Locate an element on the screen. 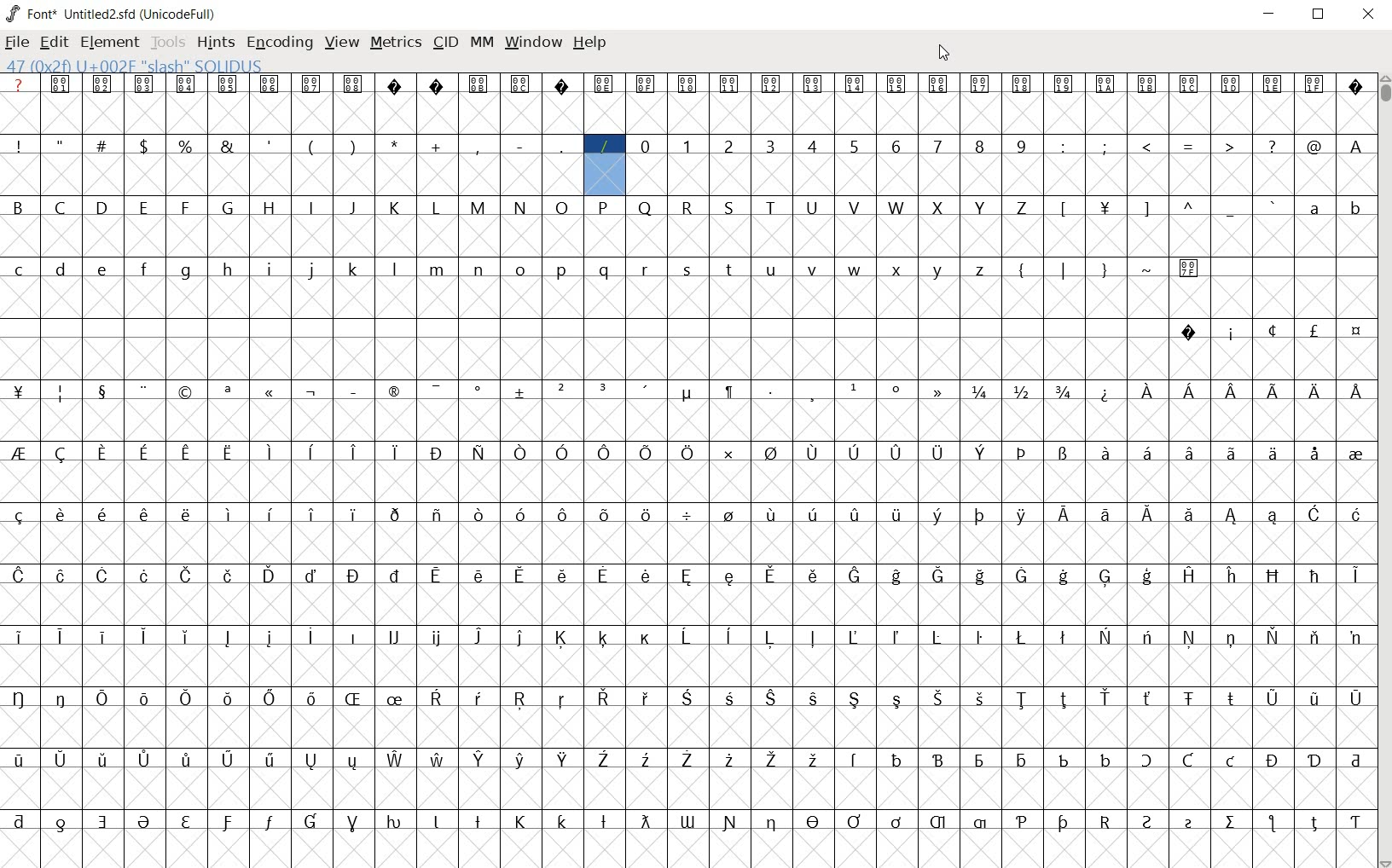 Image resolution: width=1392 pixels, height=868 pixels. glyph is located at coordinates (896, 637).